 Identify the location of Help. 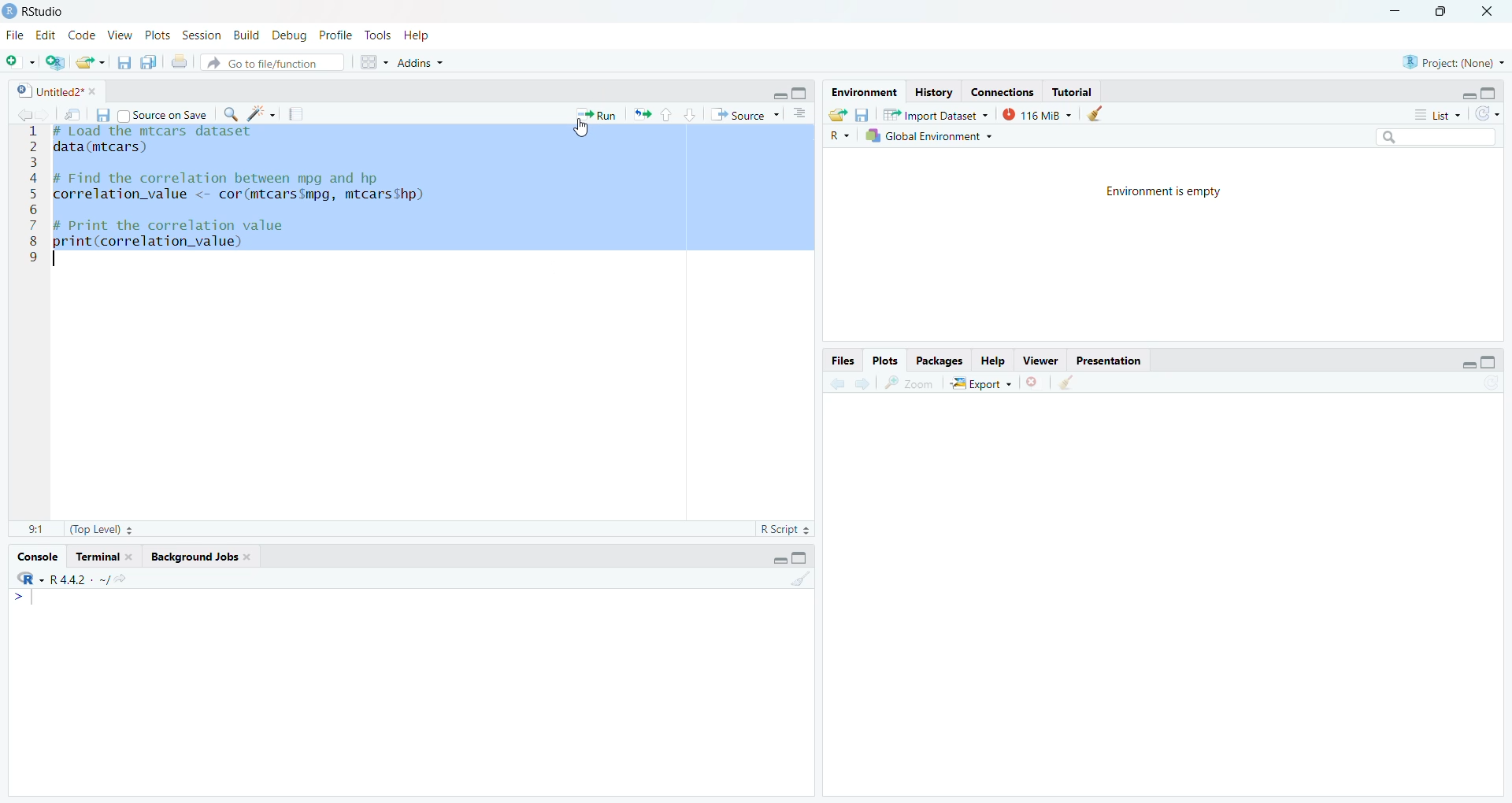
(417, 37).